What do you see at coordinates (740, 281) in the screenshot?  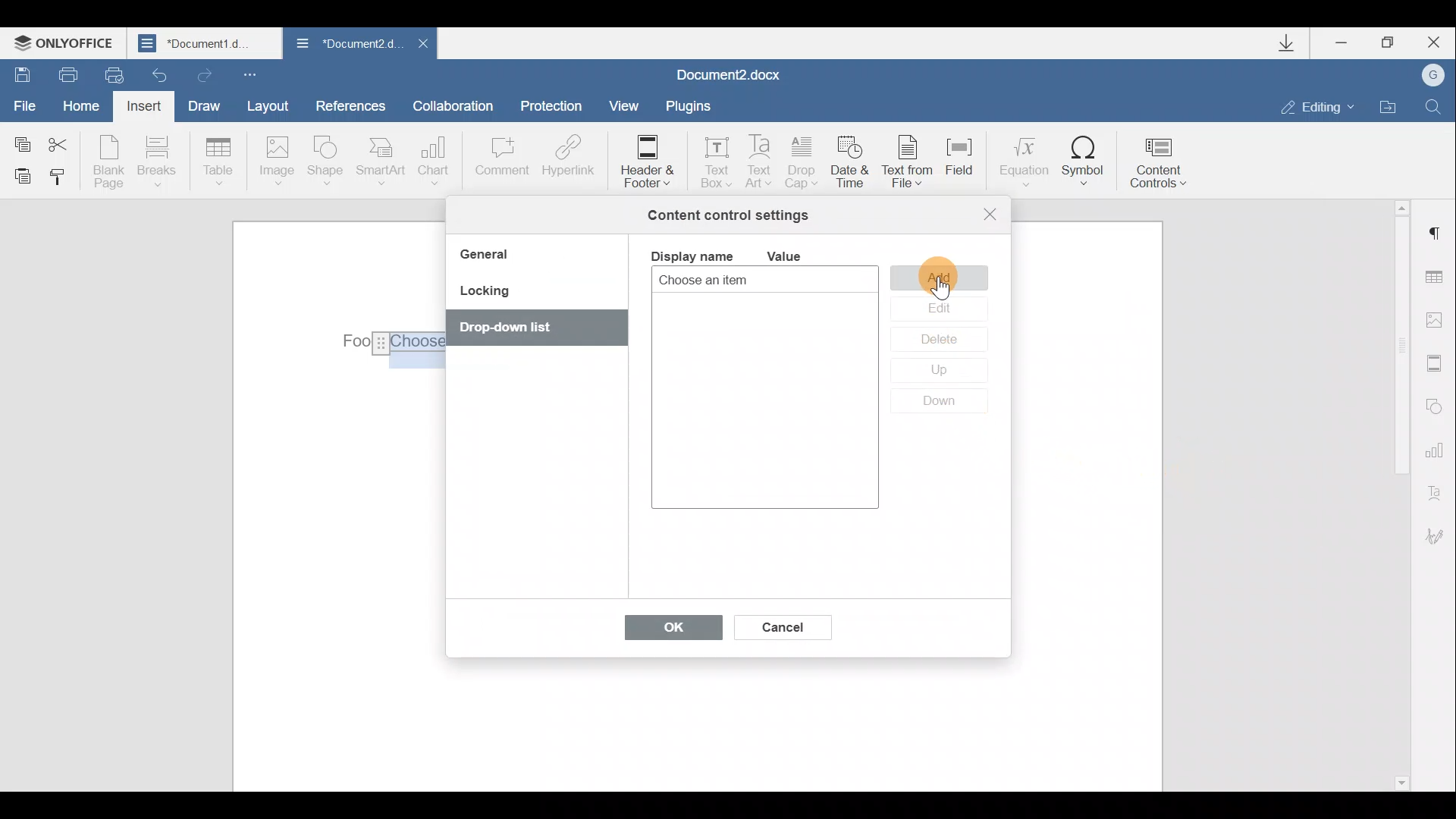 I see `Choose an item` at bounding box center [740, 281].